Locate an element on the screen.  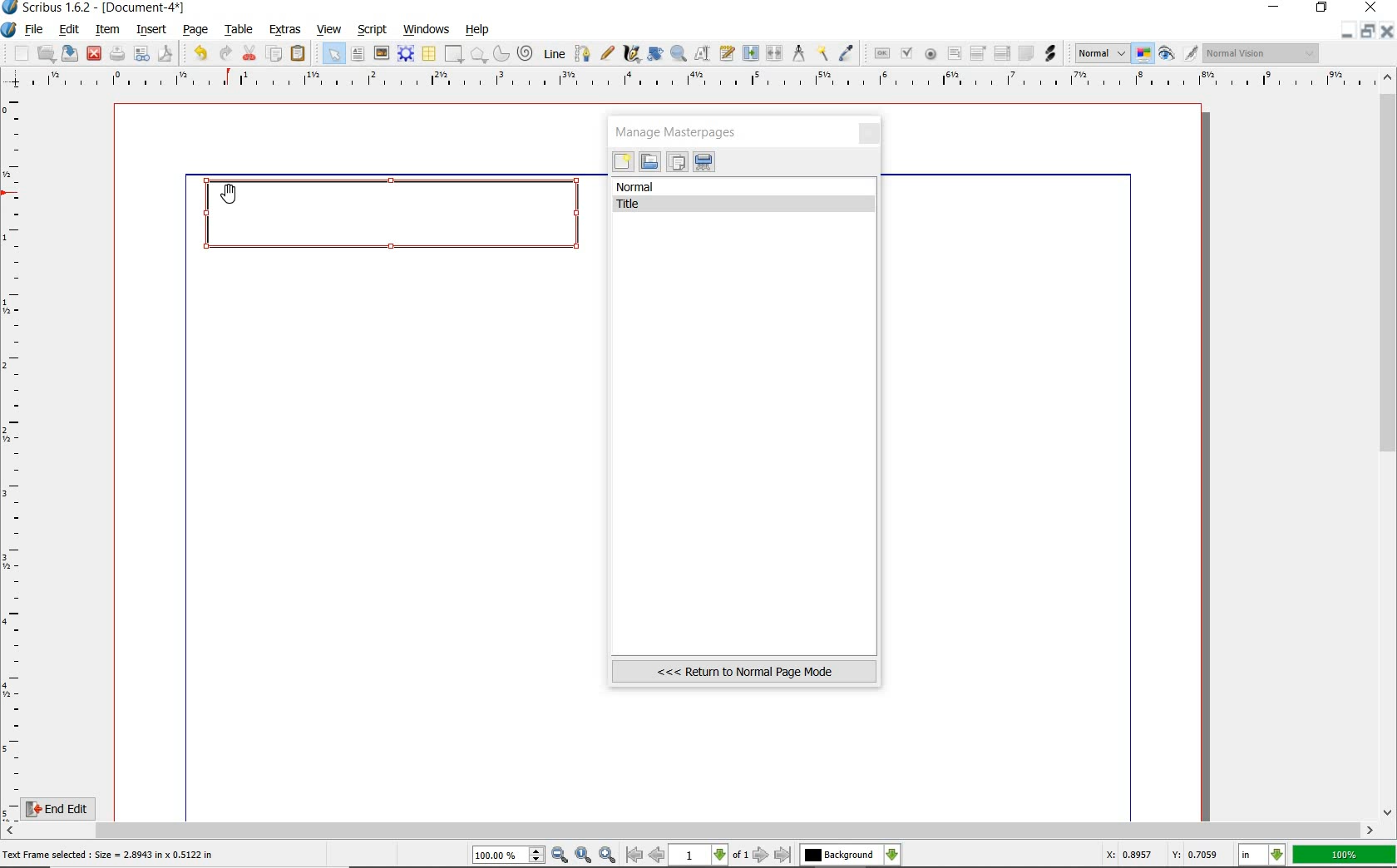
pdf push button is located at coordinates (879, 52).